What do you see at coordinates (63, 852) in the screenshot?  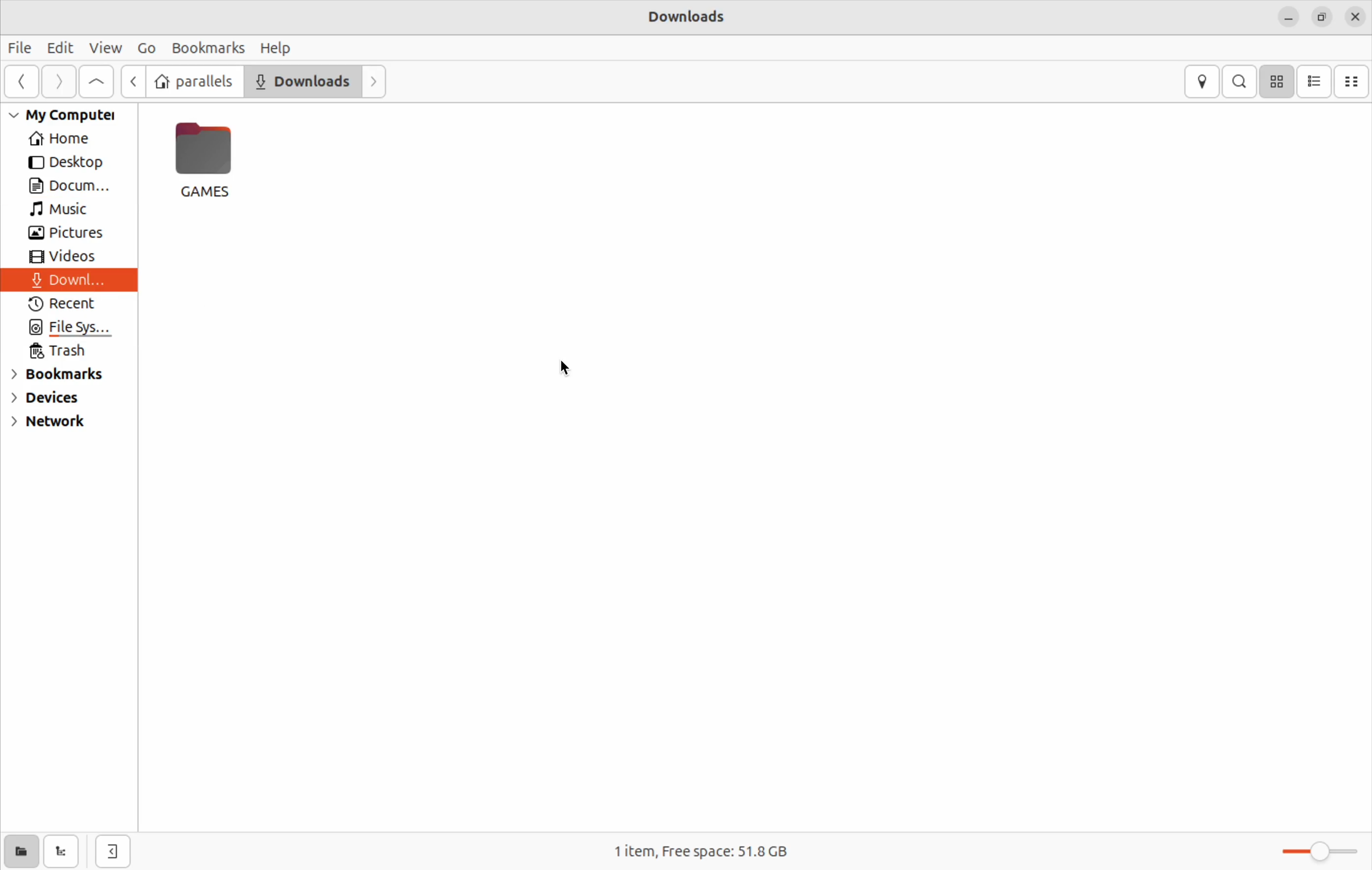 I see `show tree view` at bounding box center [63, 852].